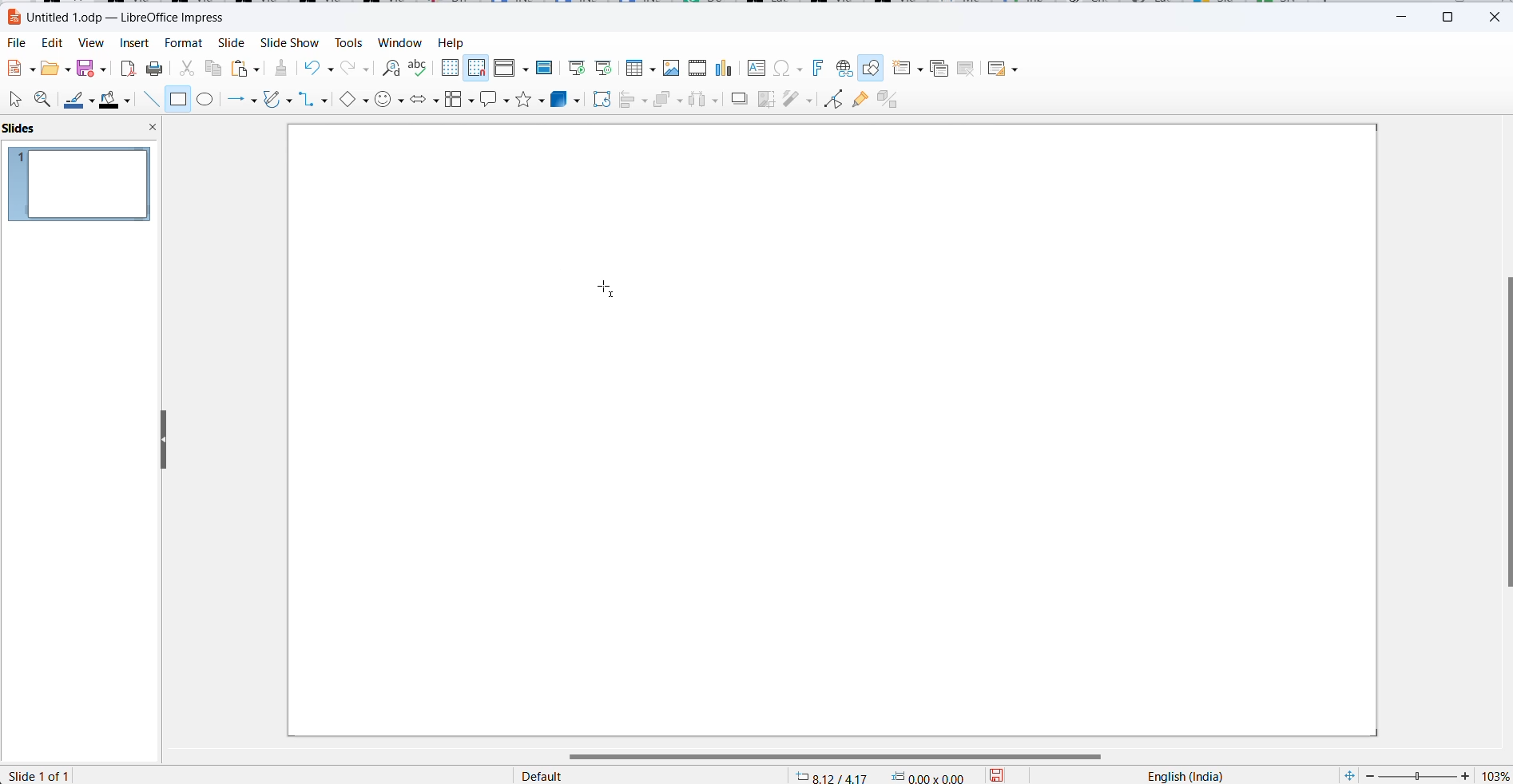 The width and height of the screenshot is (1513, 784). What do you see at coordinates (1494, 775) in the screenshot?
I see `zoom percentage` at bounding box center [1494, 775].